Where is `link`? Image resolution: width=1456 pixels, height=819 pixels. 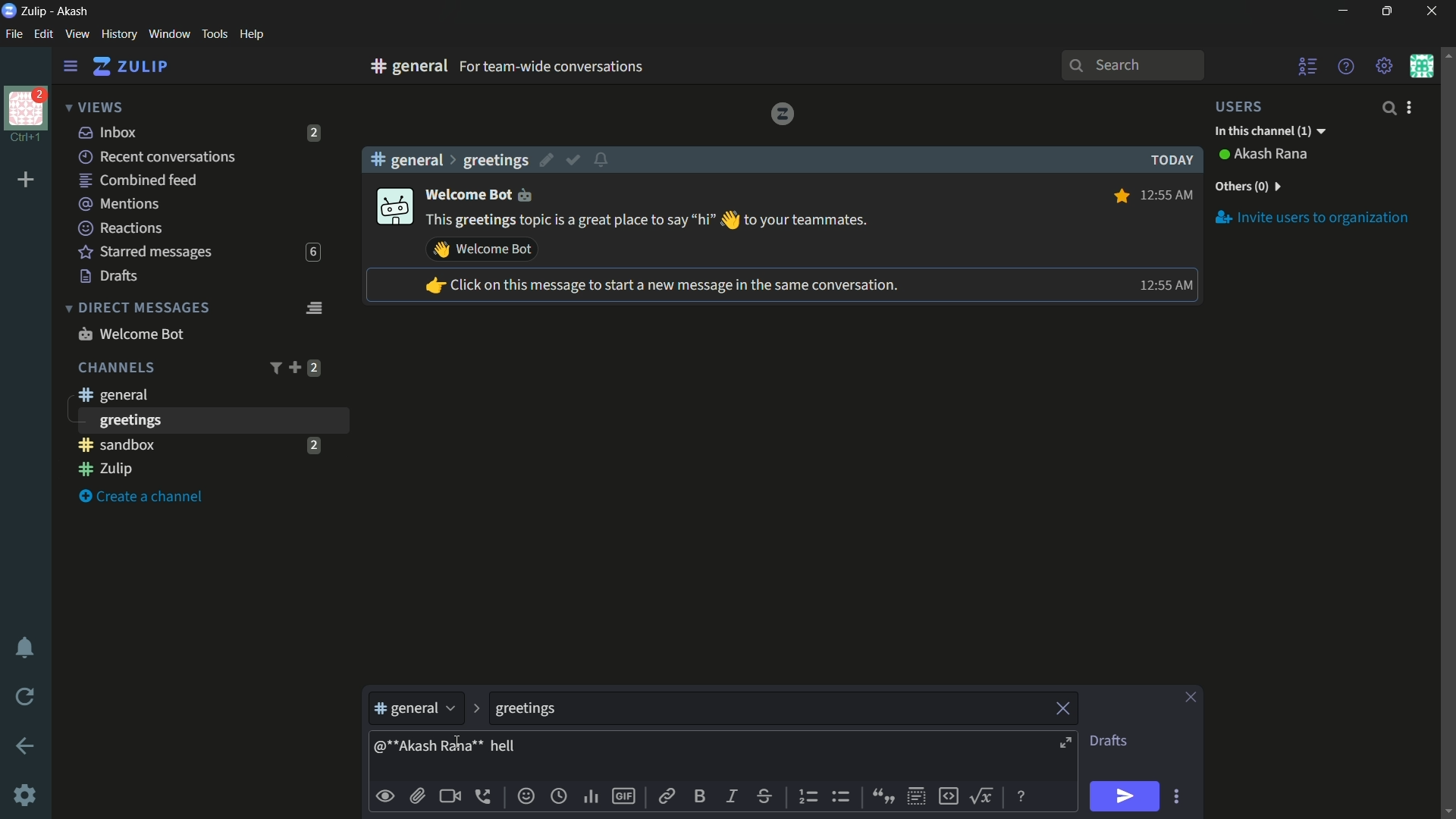 link is located at coordinates (665, 799).